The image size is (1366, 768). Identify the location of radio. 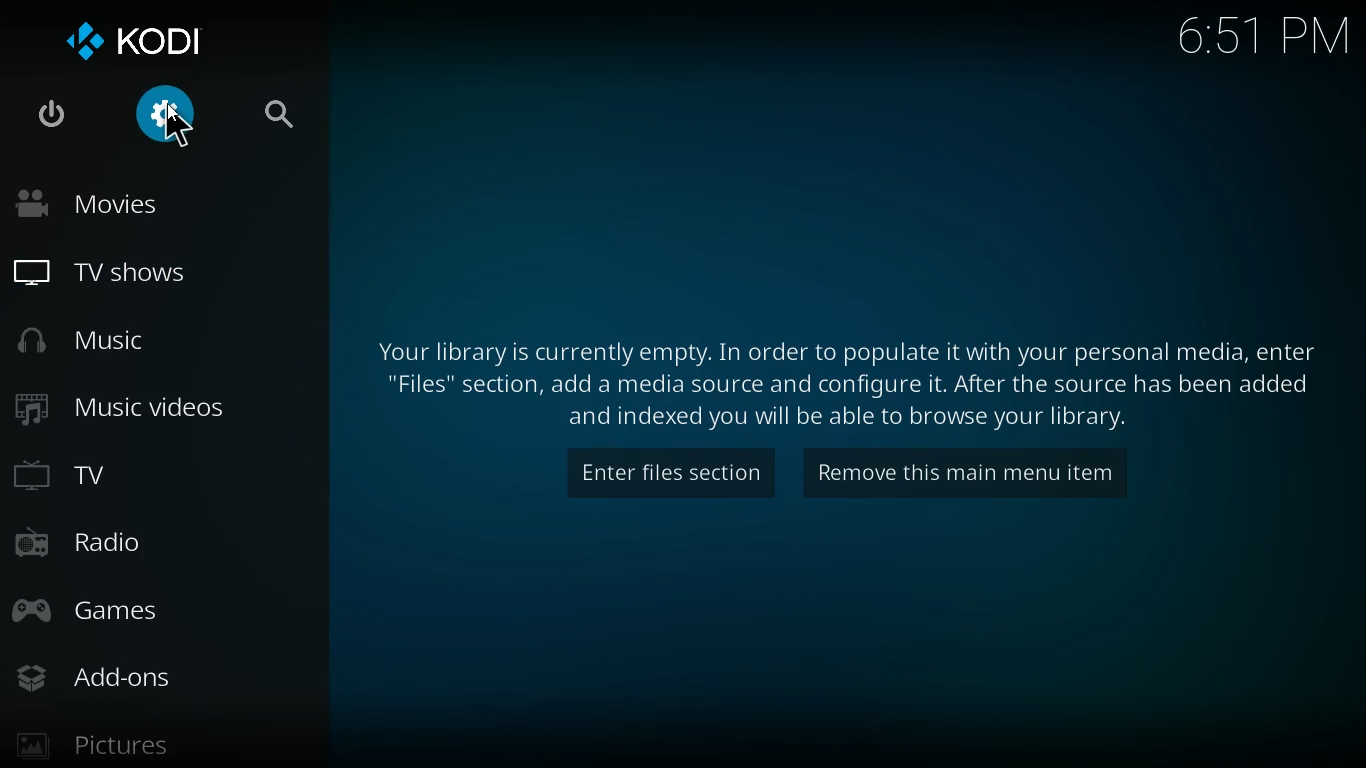
(138, 547).